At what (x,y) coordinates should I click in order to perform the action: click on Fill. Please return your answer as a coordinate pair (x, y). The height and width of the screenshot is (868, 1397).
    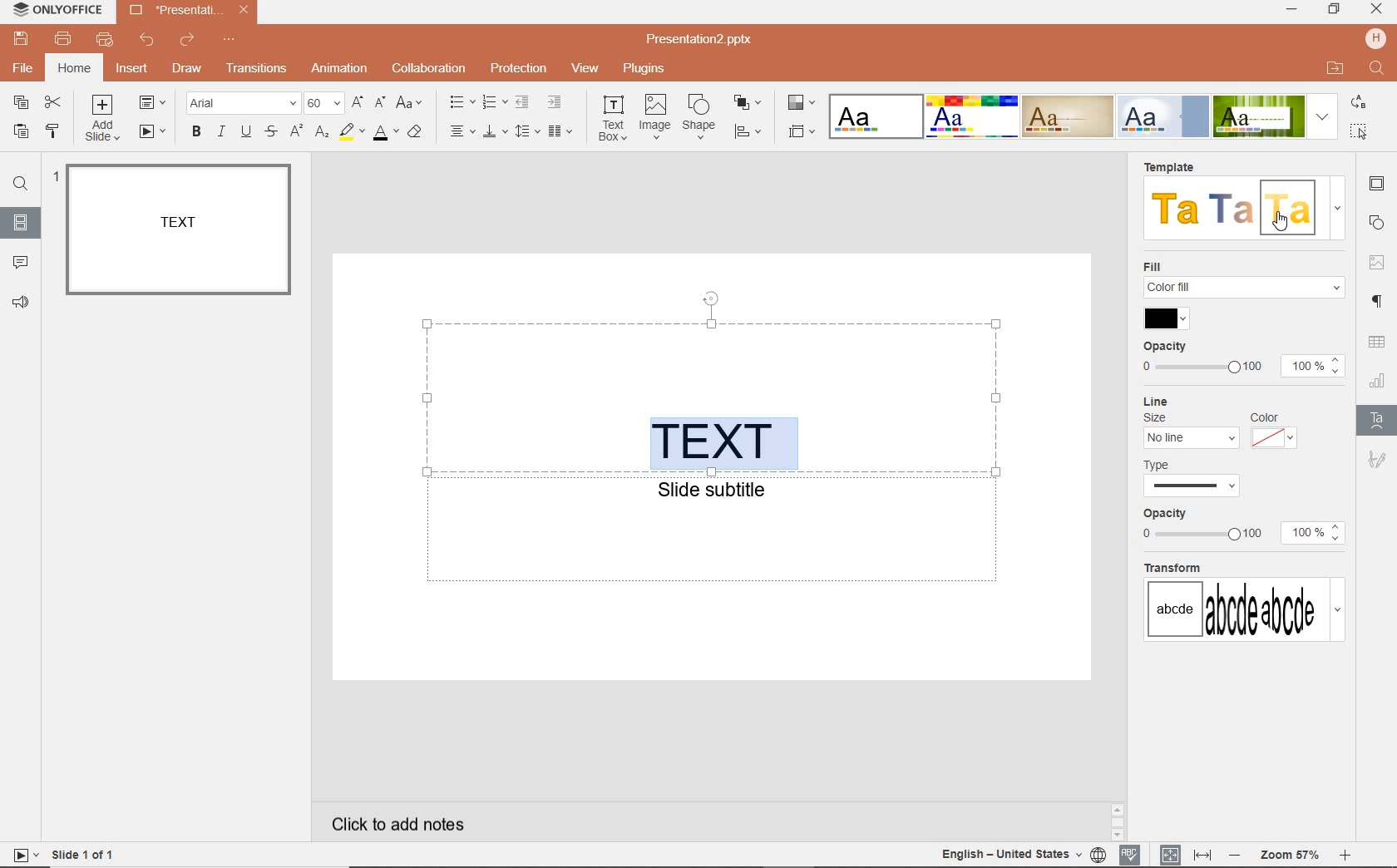
    Looking at the image, I should click on (1242, 281).